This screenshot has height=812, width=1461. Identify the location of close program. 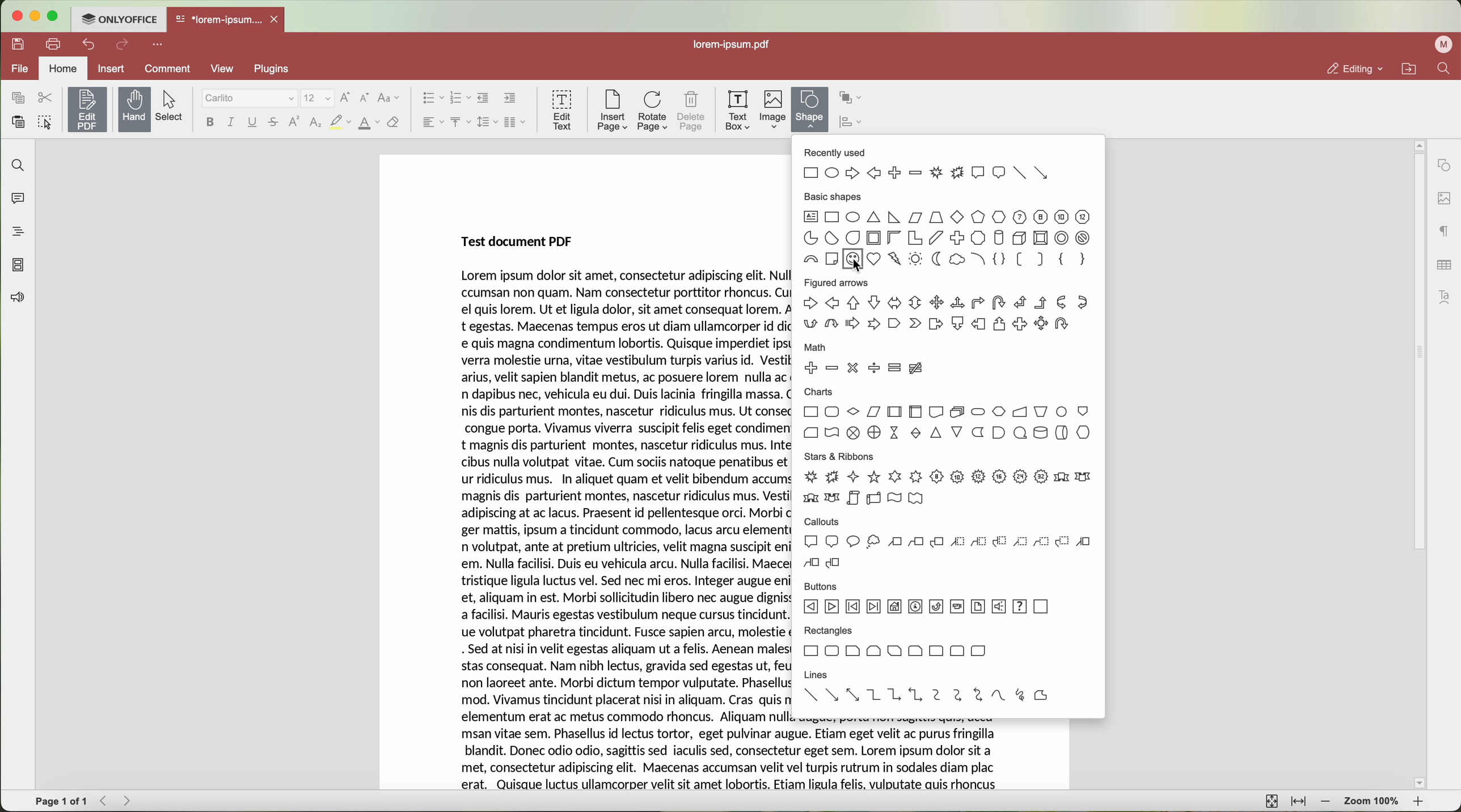
(18, 16).